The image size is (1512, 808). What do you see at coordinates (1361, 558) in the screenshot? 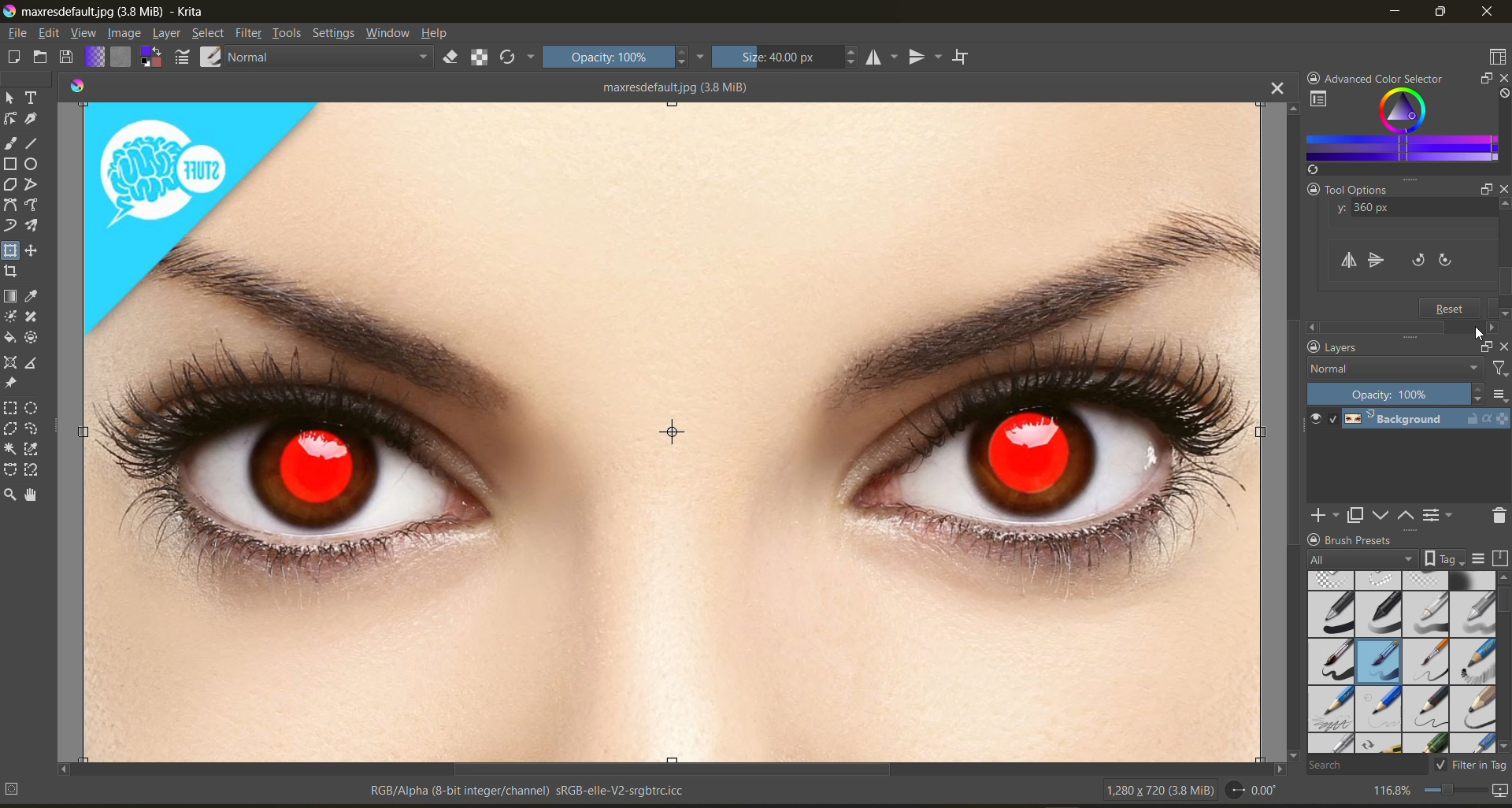
I see `tag` at bounding box center [1361, 558].